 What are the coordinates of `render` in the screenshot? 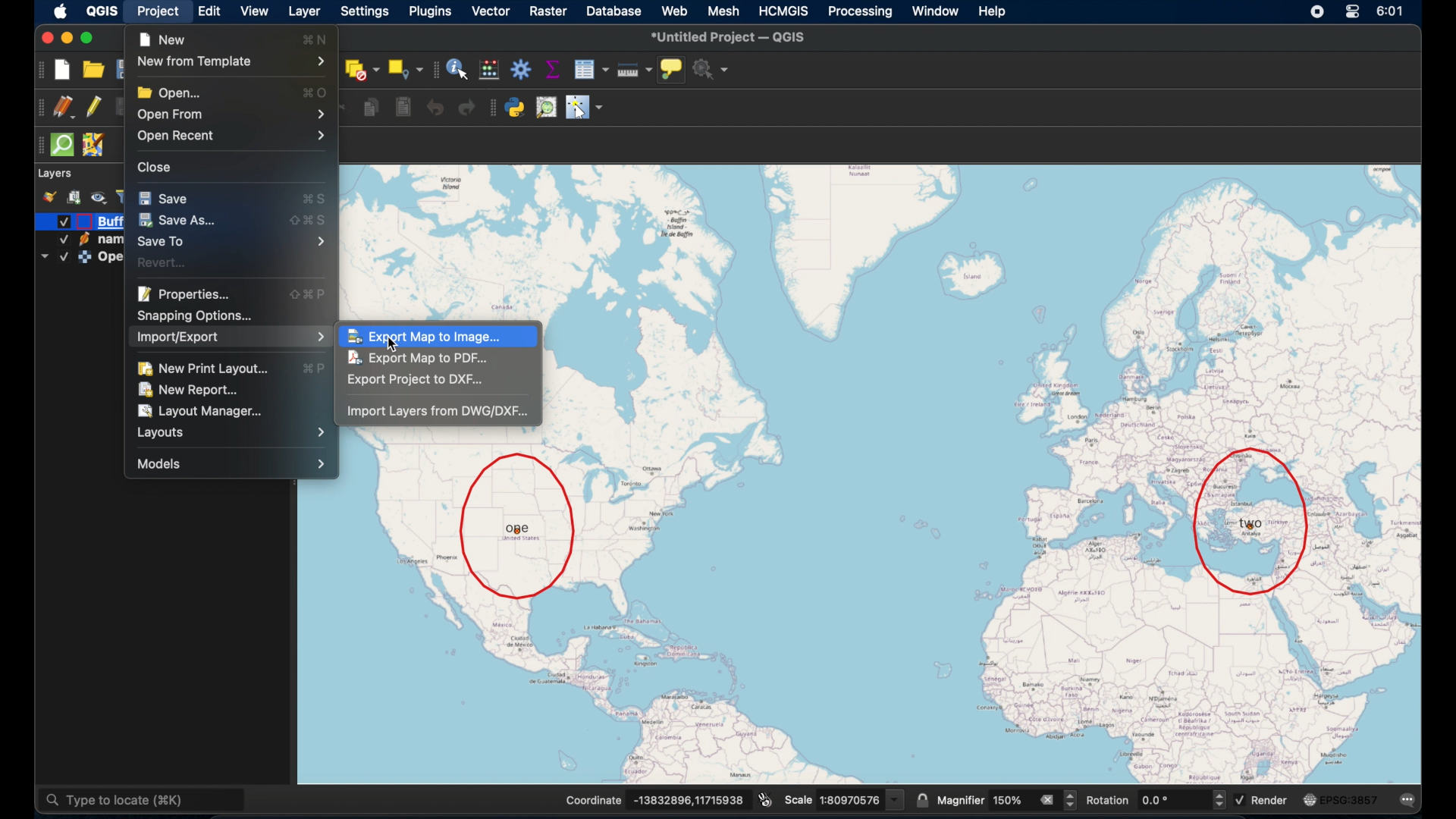 It's located at (1268, 801).